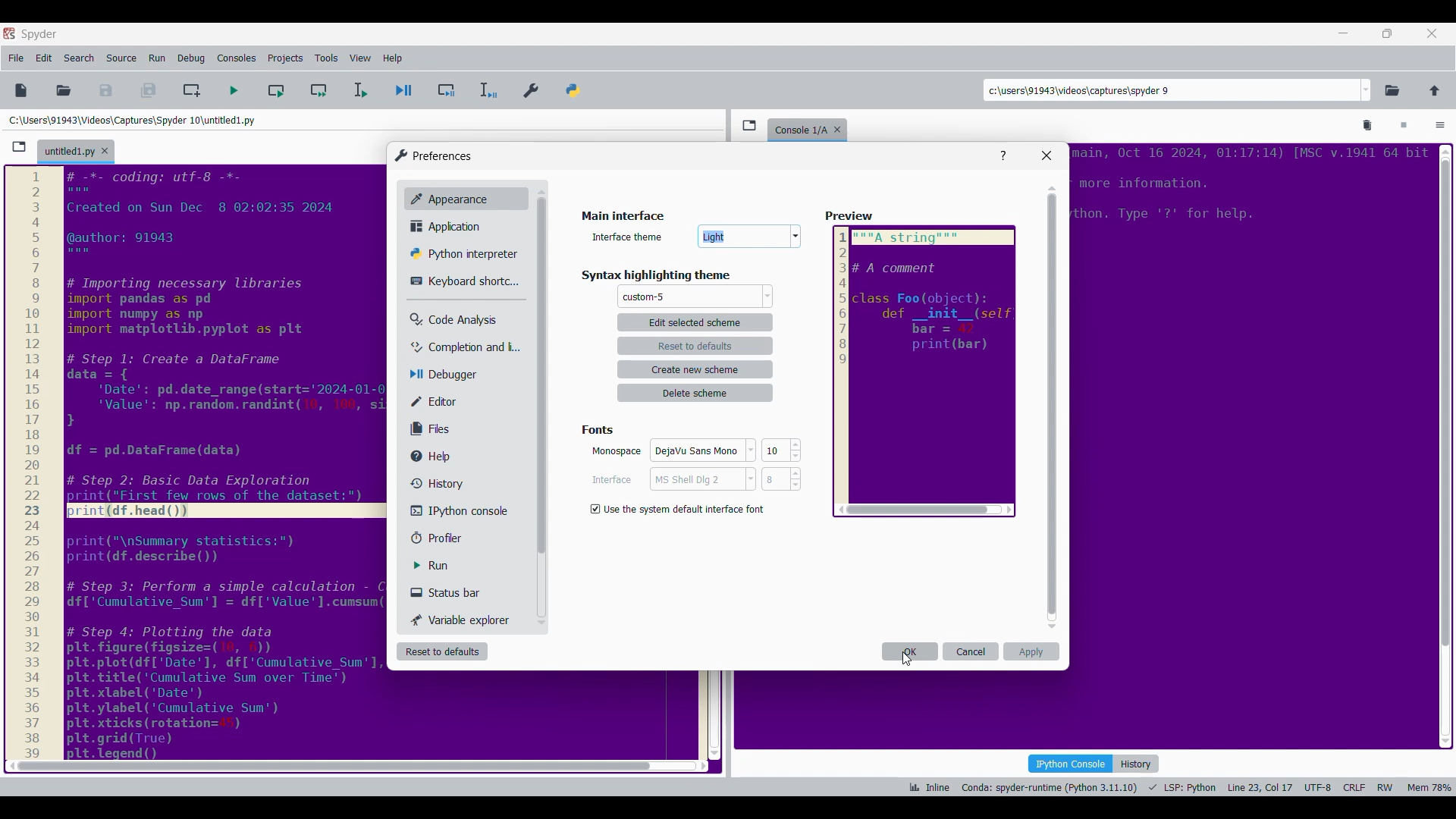  I want to click on Reset to defaults, so click(442, 651).